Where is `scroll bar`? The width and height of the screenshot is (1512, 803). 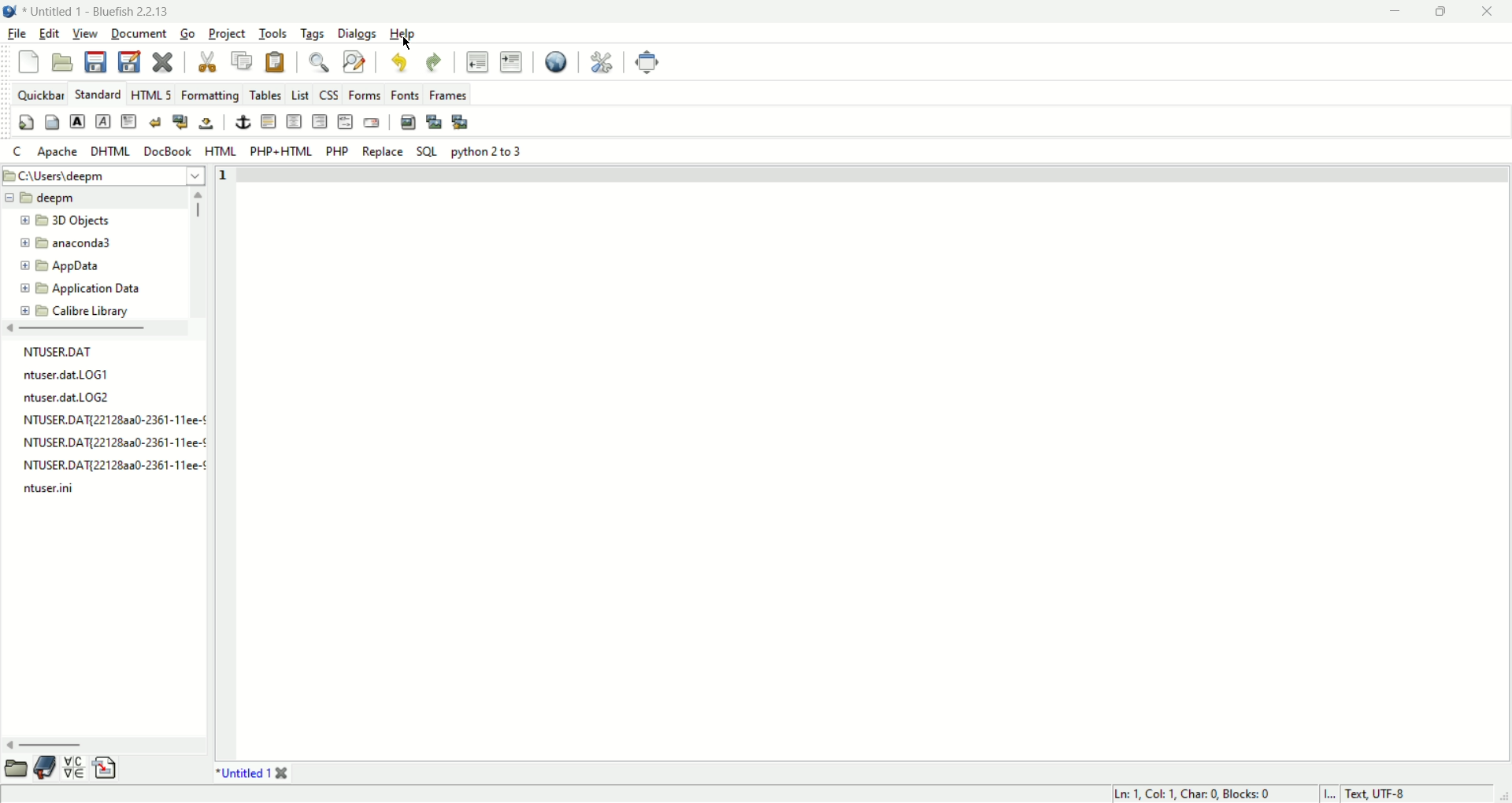 scroll bar is located at coordinates (199, 252).